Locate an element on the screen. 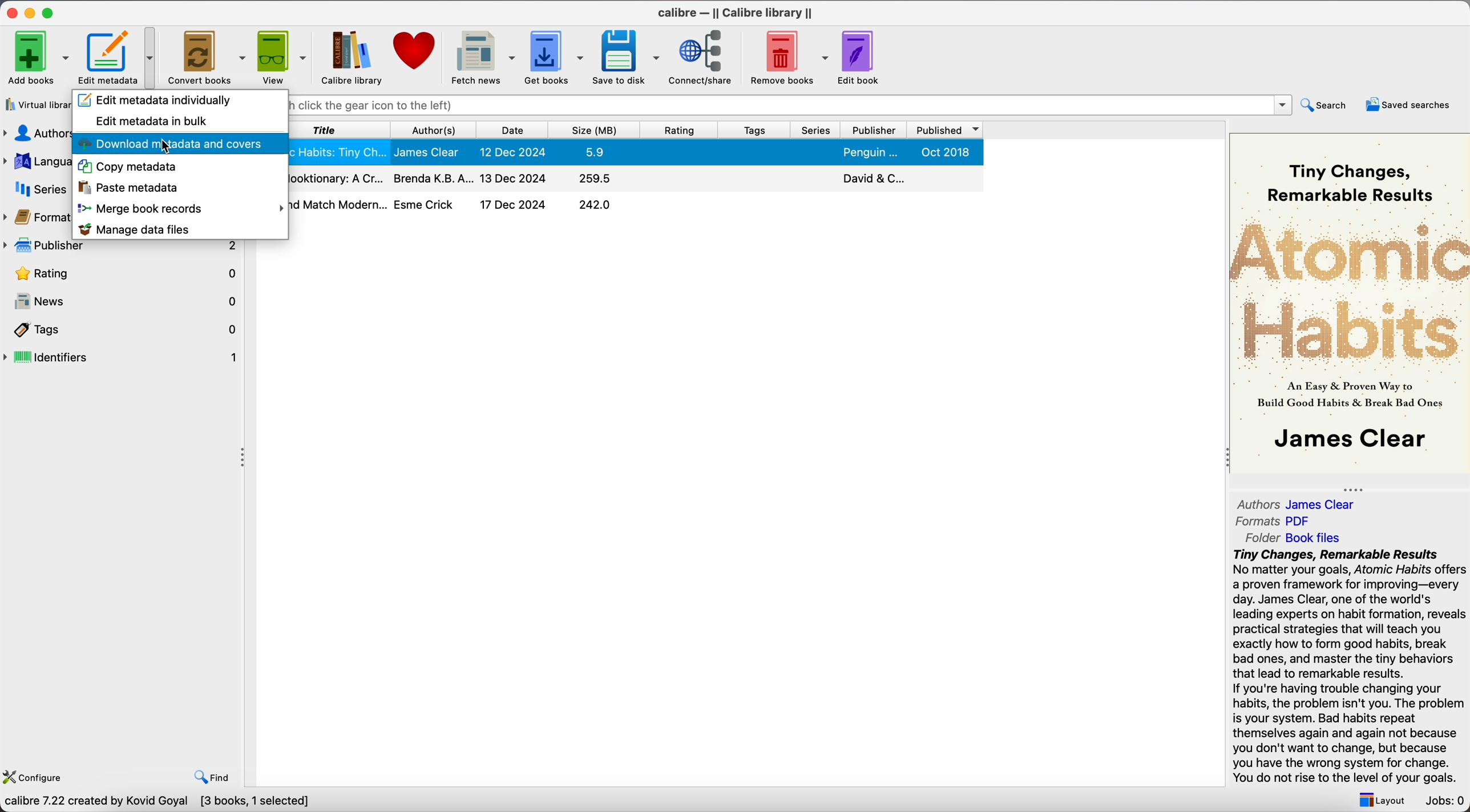 Image resolution: width=1470 pixels, height=812 pixels. 17 Dec 2024 is located at coordinates (513, 204).